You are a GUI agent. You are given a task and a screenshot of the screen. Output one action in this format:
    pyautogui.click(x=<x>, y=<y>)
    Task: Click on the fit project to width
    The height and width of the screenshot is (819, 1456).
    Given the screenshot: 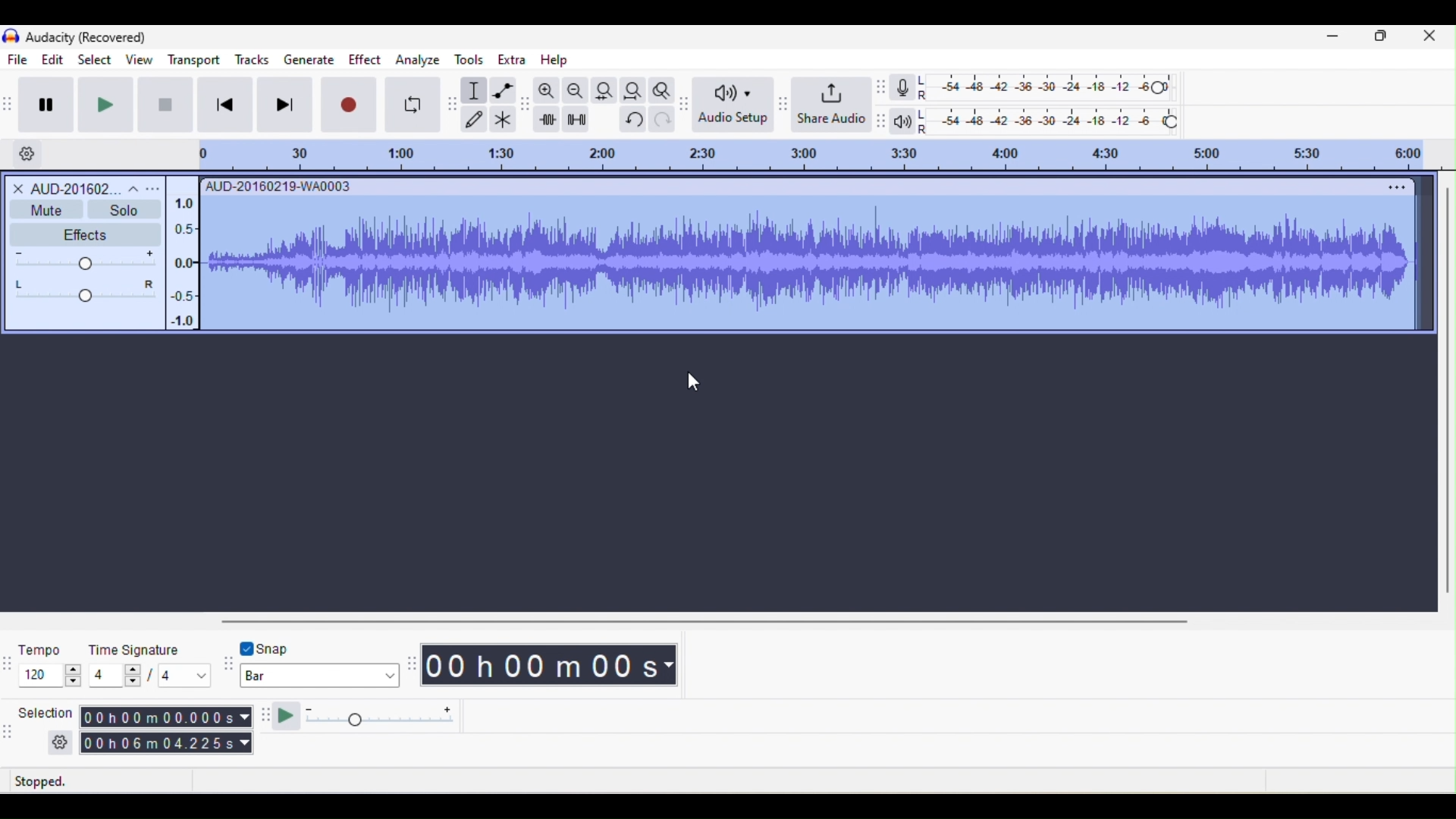 What is the action you would take?
    pyautogui.click(x=634, y=87)
    